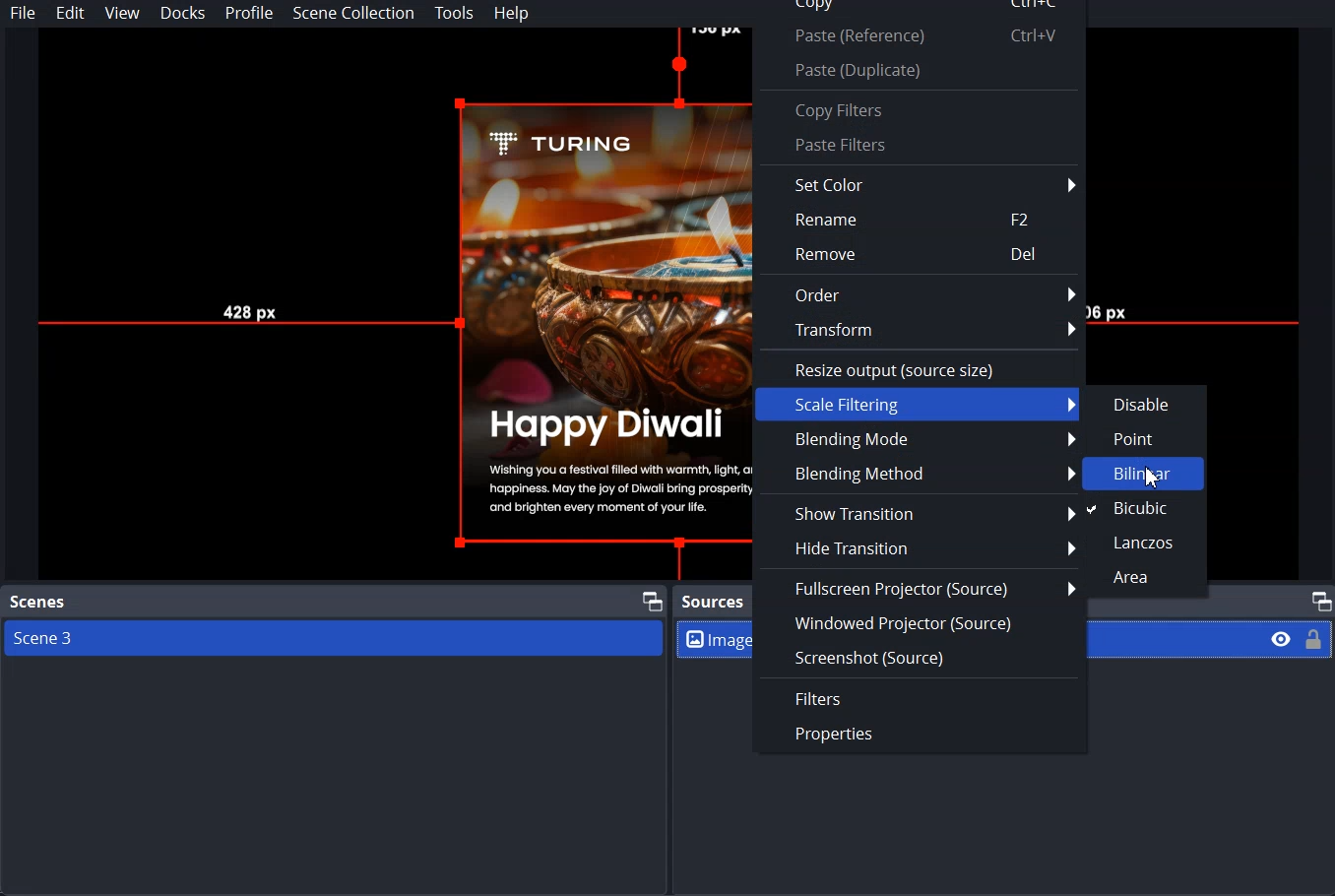 Image resolution: width=1335 pixels, height=896 pixels. I want to click on Text, so click(714, 603).